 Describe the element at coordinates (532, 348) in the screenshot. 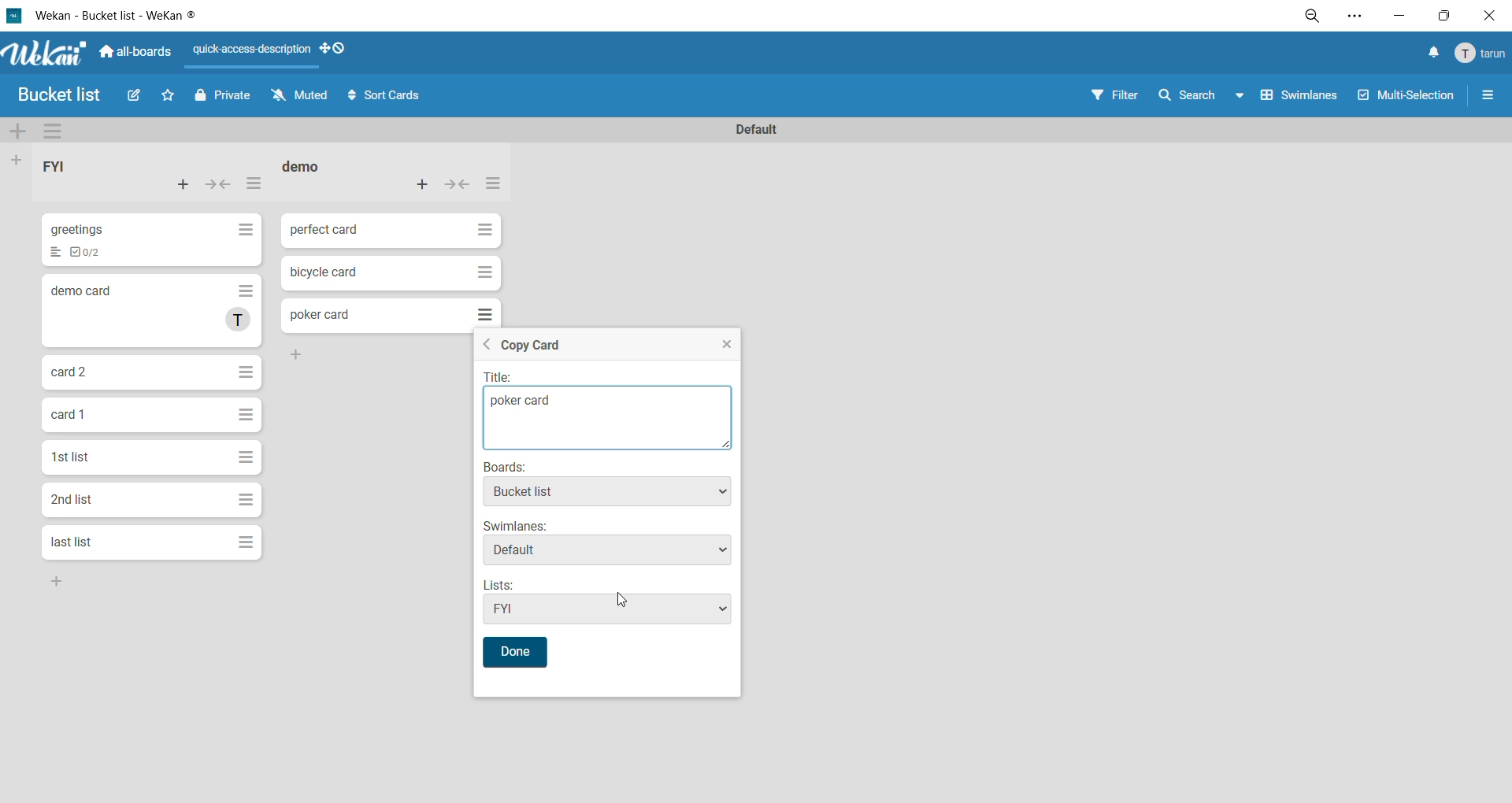

I see `copy card` at that location.